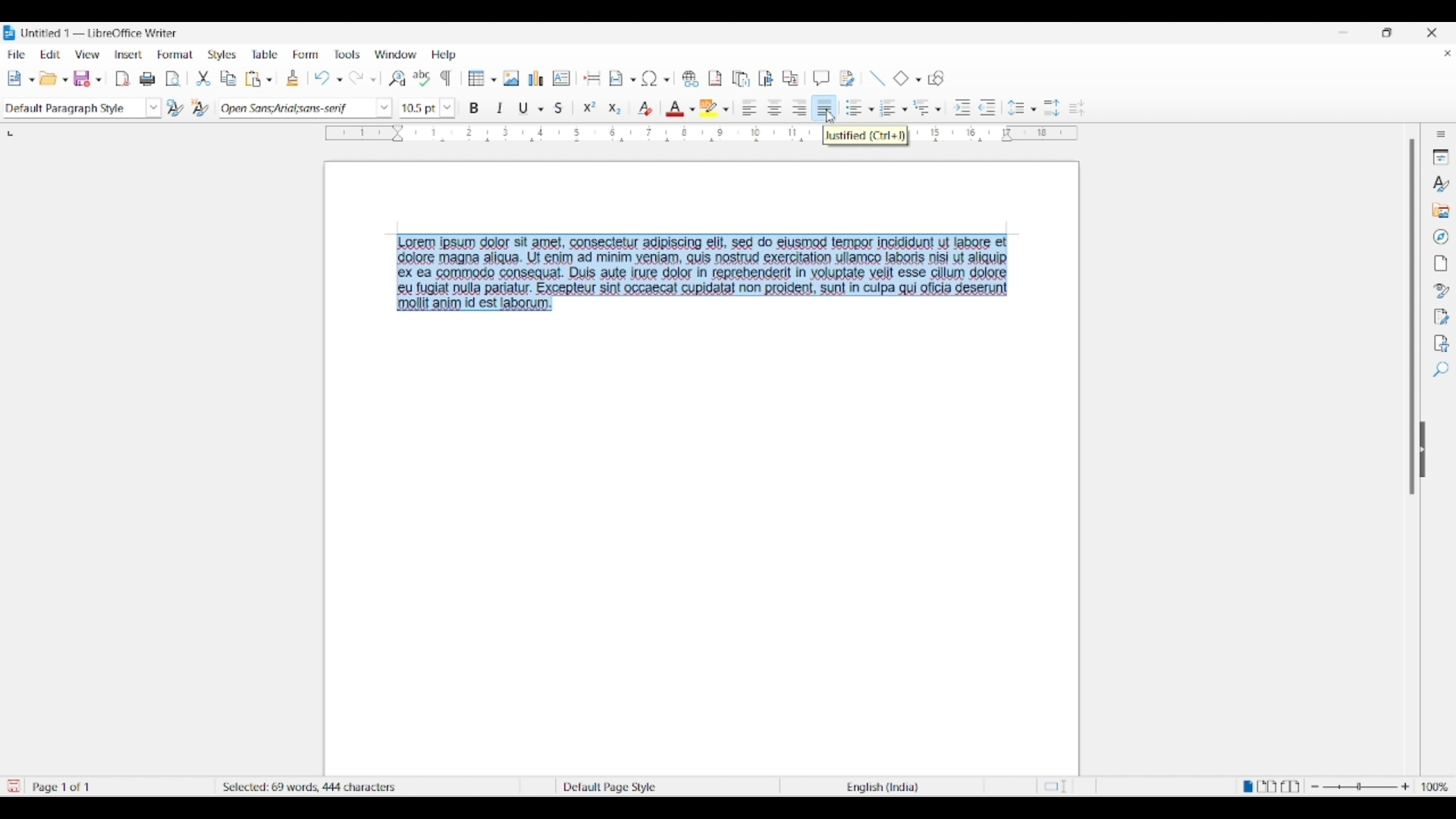  Describe the element at coordinates (962, 108) in the screenshot. I see `Increase indent` at that location.